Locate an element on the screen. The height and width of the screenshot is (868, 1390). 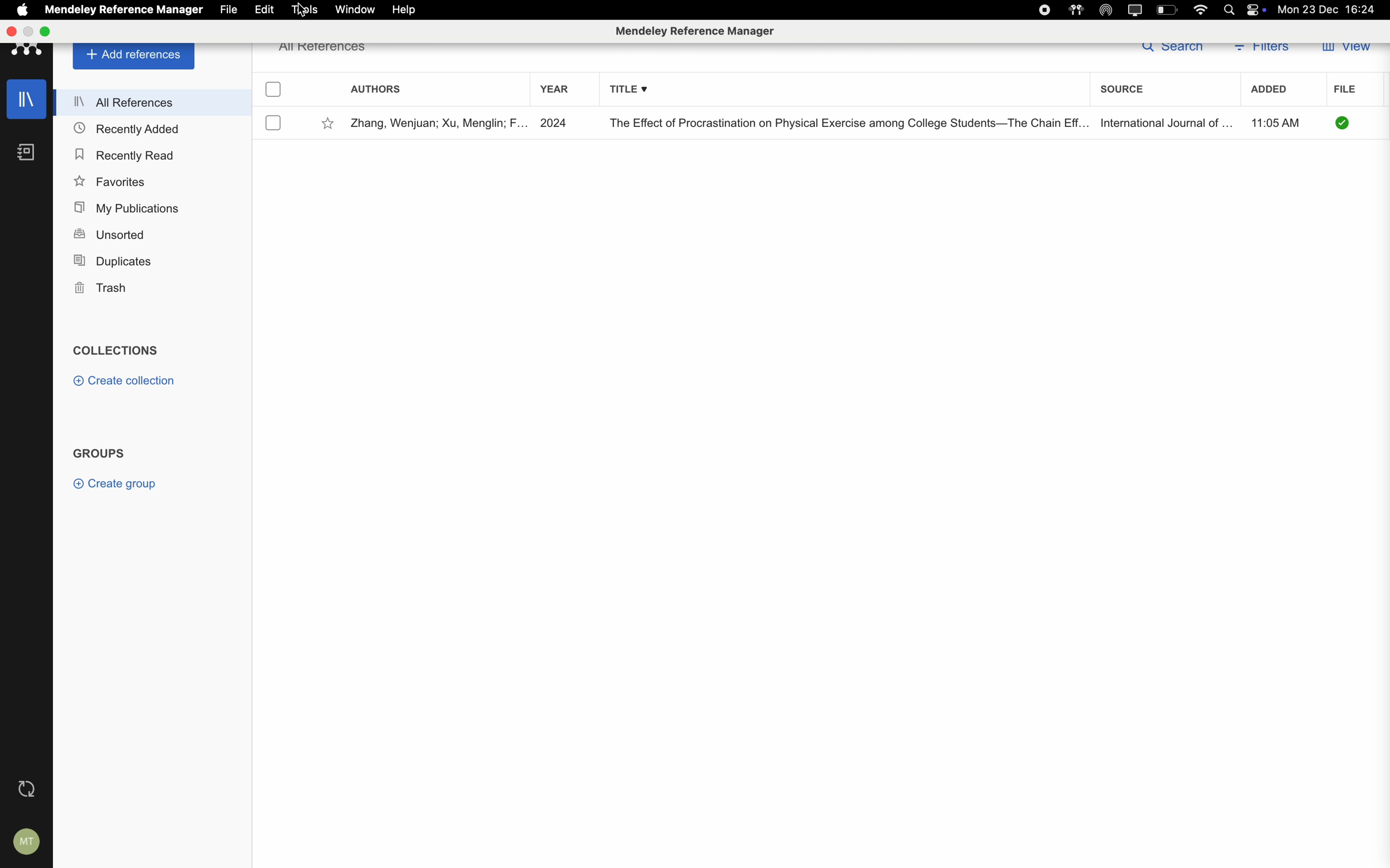
window is located at coordinates (356, 9).